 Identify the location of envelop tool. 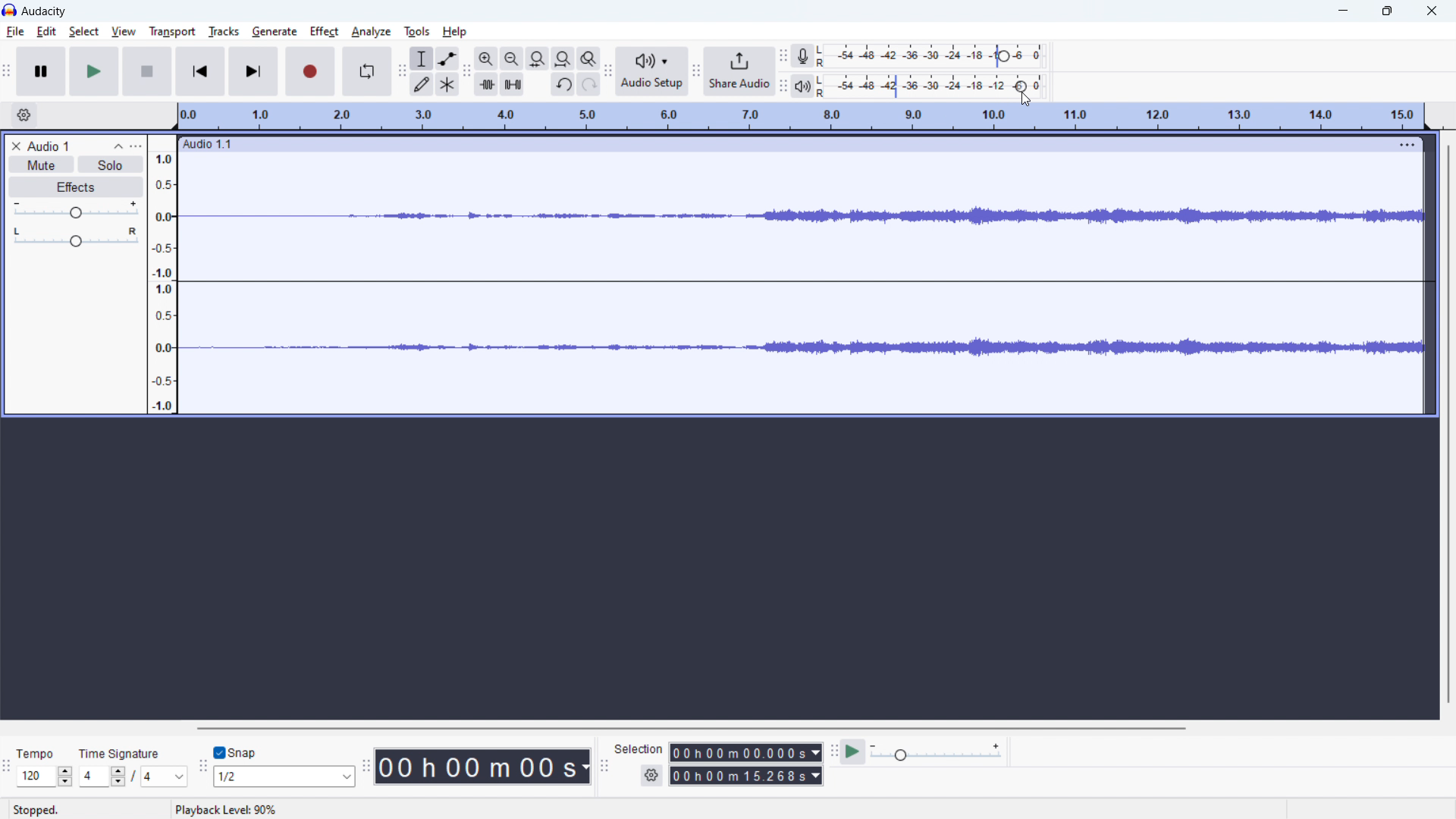
(447, 58).